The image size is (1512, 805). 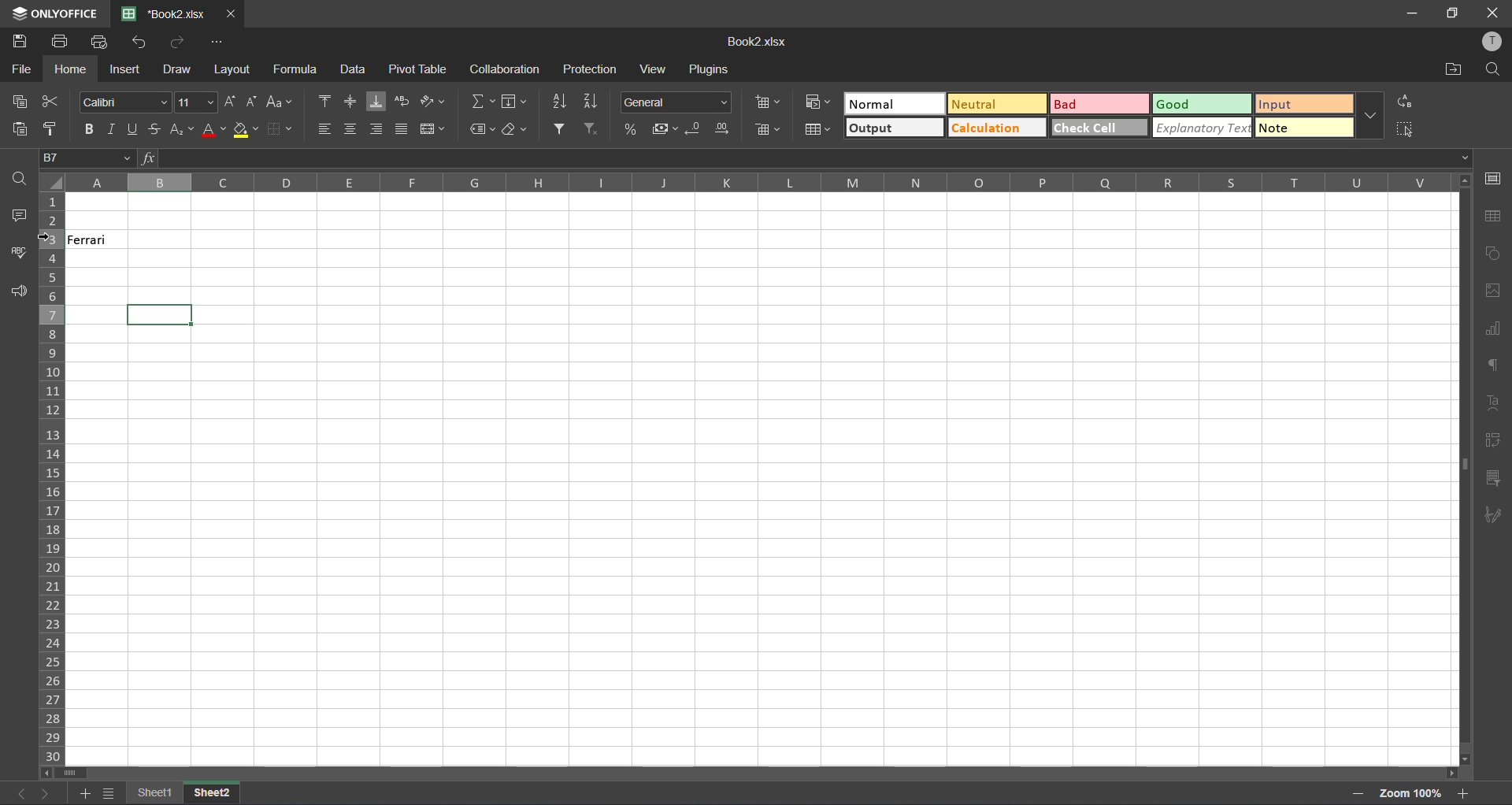 What do you see at coordinates (1306, 127) in the screenshot?
I see `note` at bounding box center [1306, 127].